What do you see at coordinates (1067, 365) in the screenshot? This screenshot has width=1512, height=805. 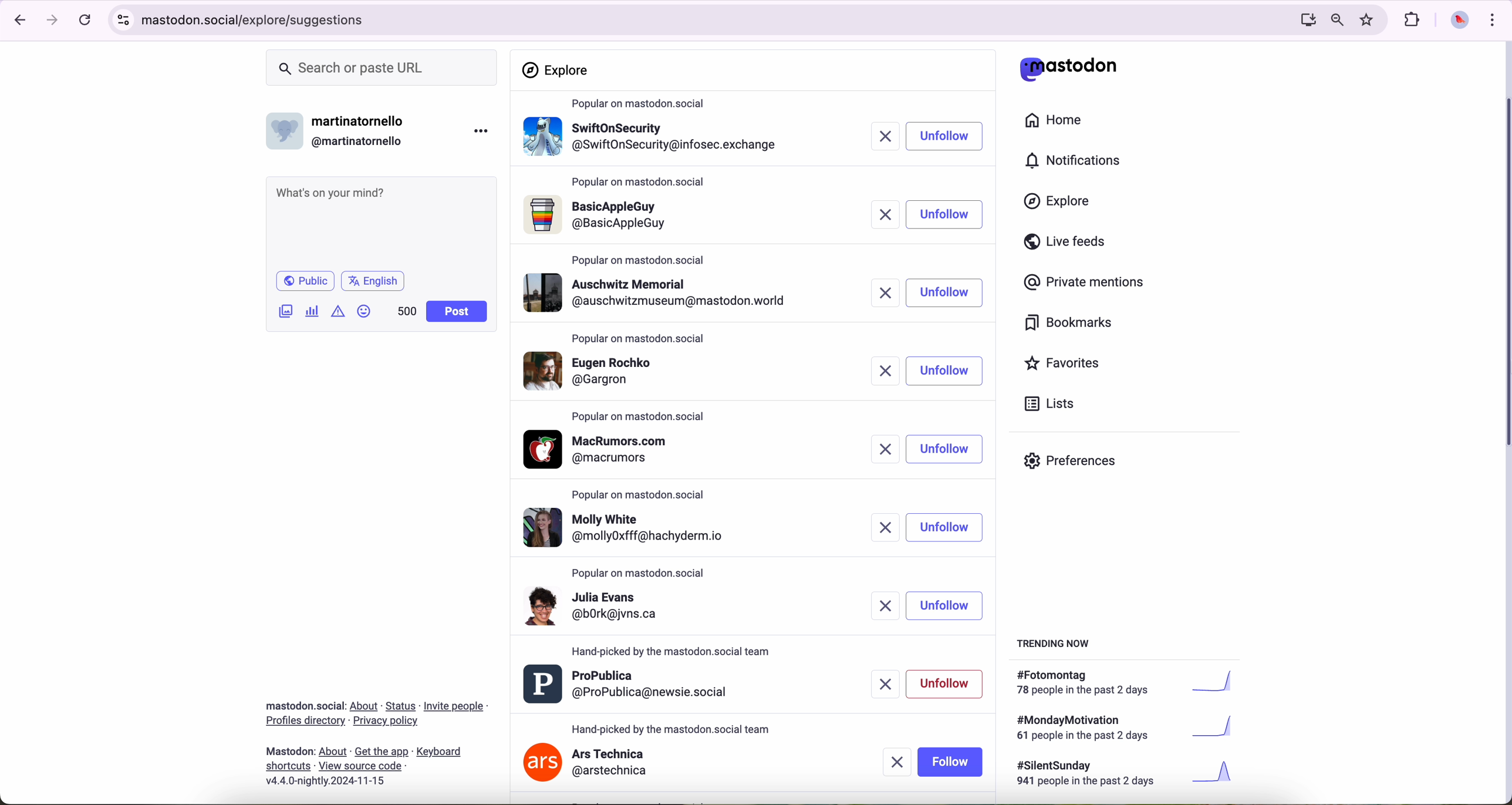 I see `favorites` at bounding box center [1067, 365].